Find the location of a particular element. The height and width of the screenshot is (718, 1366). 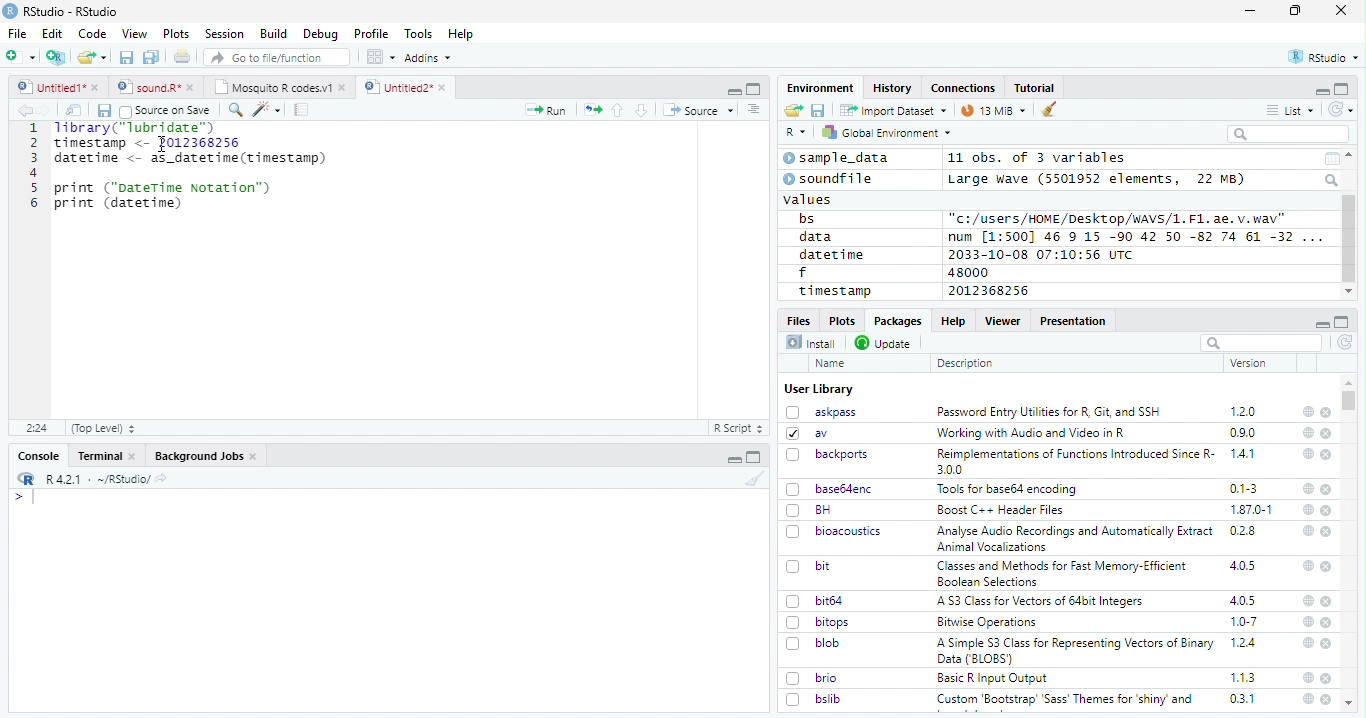

Refresh is located at coordinates (1346, 344).